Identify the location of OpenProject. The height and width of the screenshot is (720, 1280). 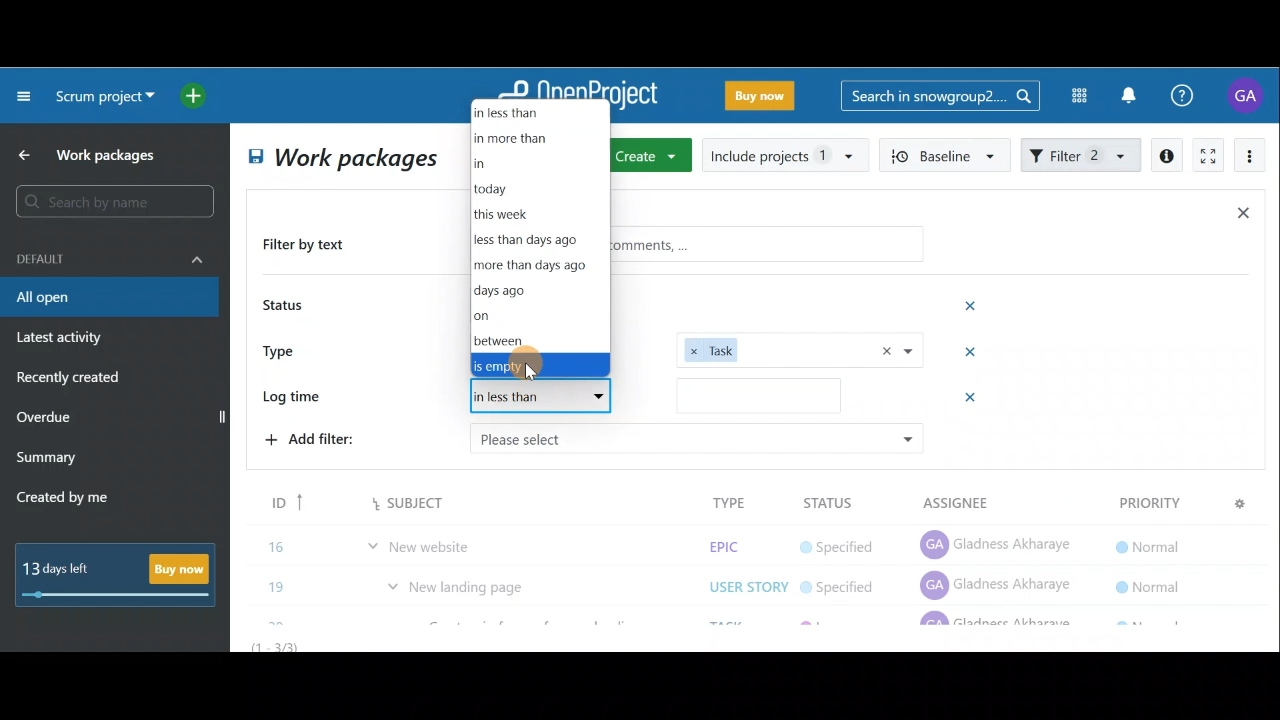
(577, 97).